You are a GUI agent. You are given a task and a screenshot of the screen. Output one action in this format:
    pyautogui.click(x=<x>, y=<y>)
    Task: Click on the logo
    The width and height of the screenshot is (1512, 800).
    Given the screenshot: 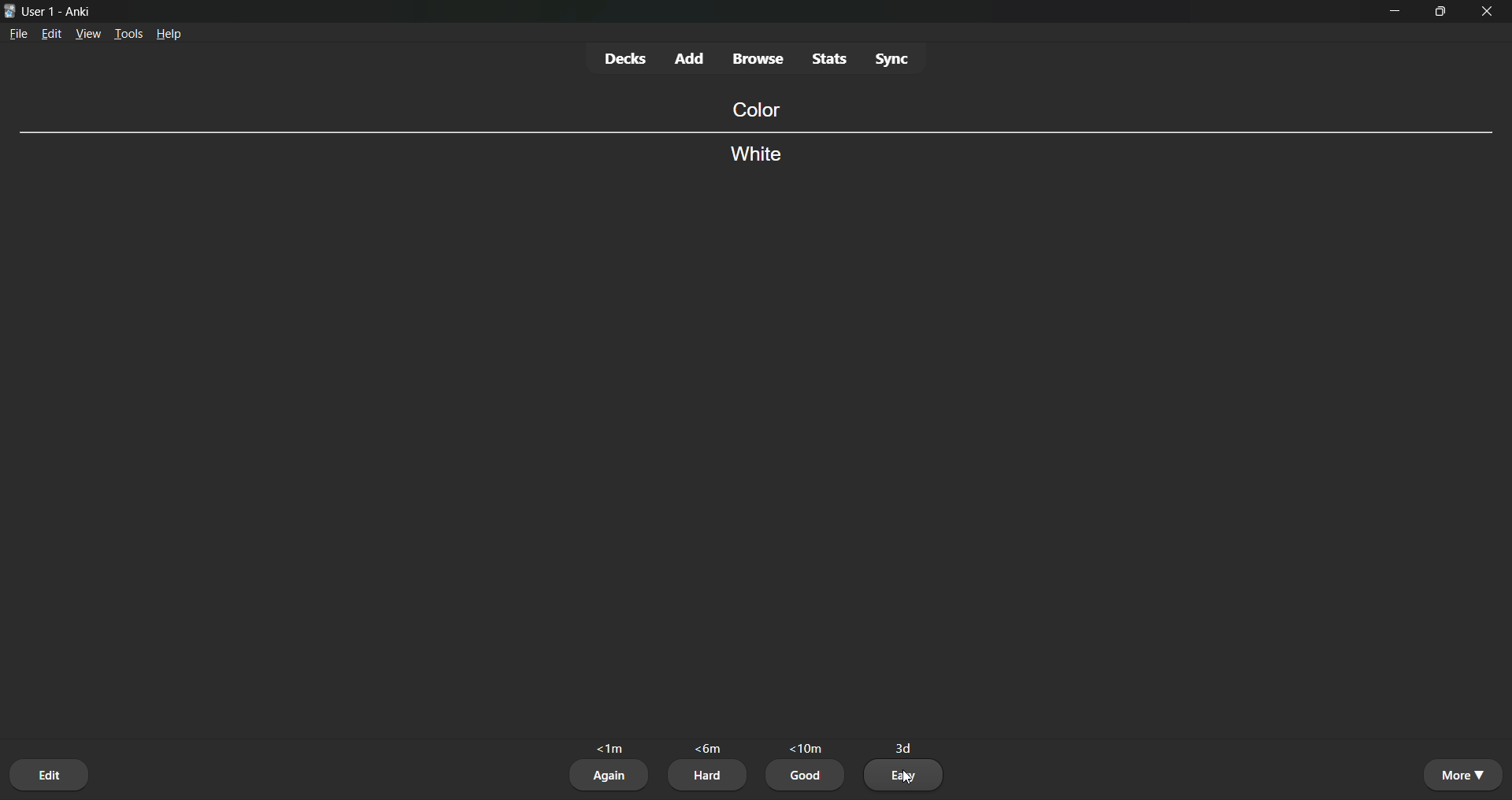 What is the action you would take?
    pyautogui.click(x=9, y=9)
    